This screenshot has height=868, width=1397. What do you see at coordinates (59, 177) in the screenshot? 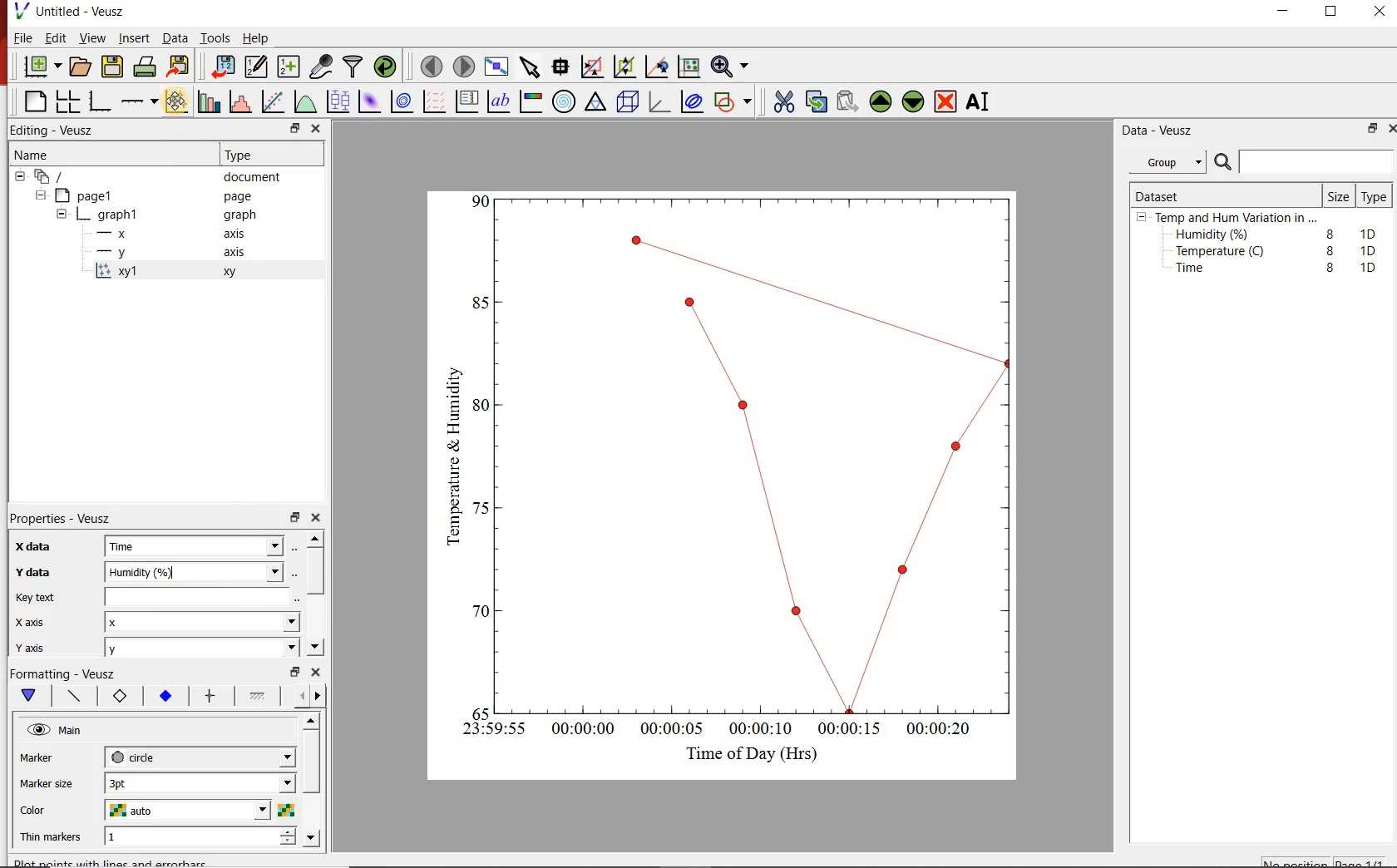
I see `document widget` at bounding box center [59, 177].